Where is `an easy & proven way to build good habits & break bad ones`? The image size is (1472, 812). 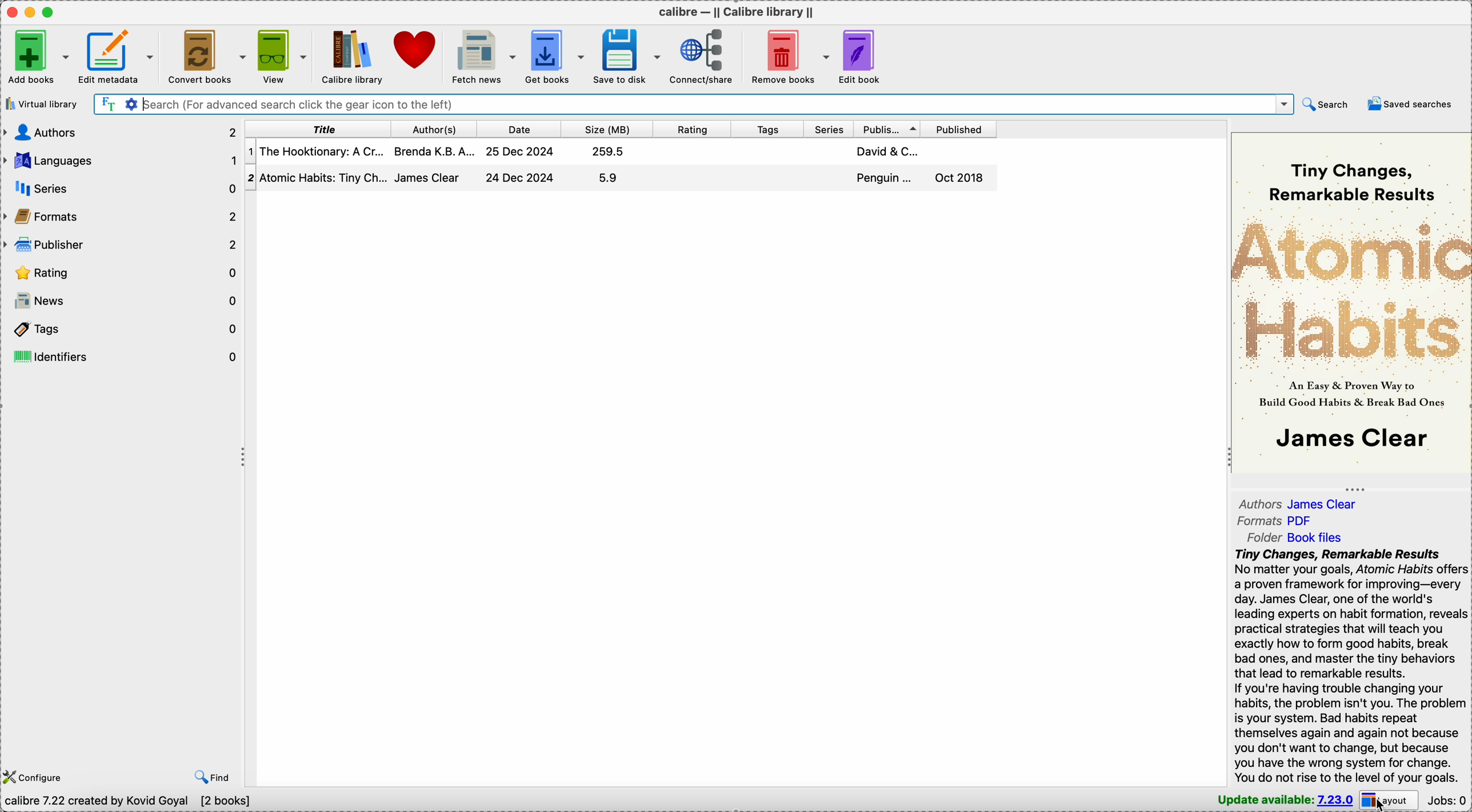
an easy & proven way to build good habits & break bad ones is located at coordinates (1352, 394).